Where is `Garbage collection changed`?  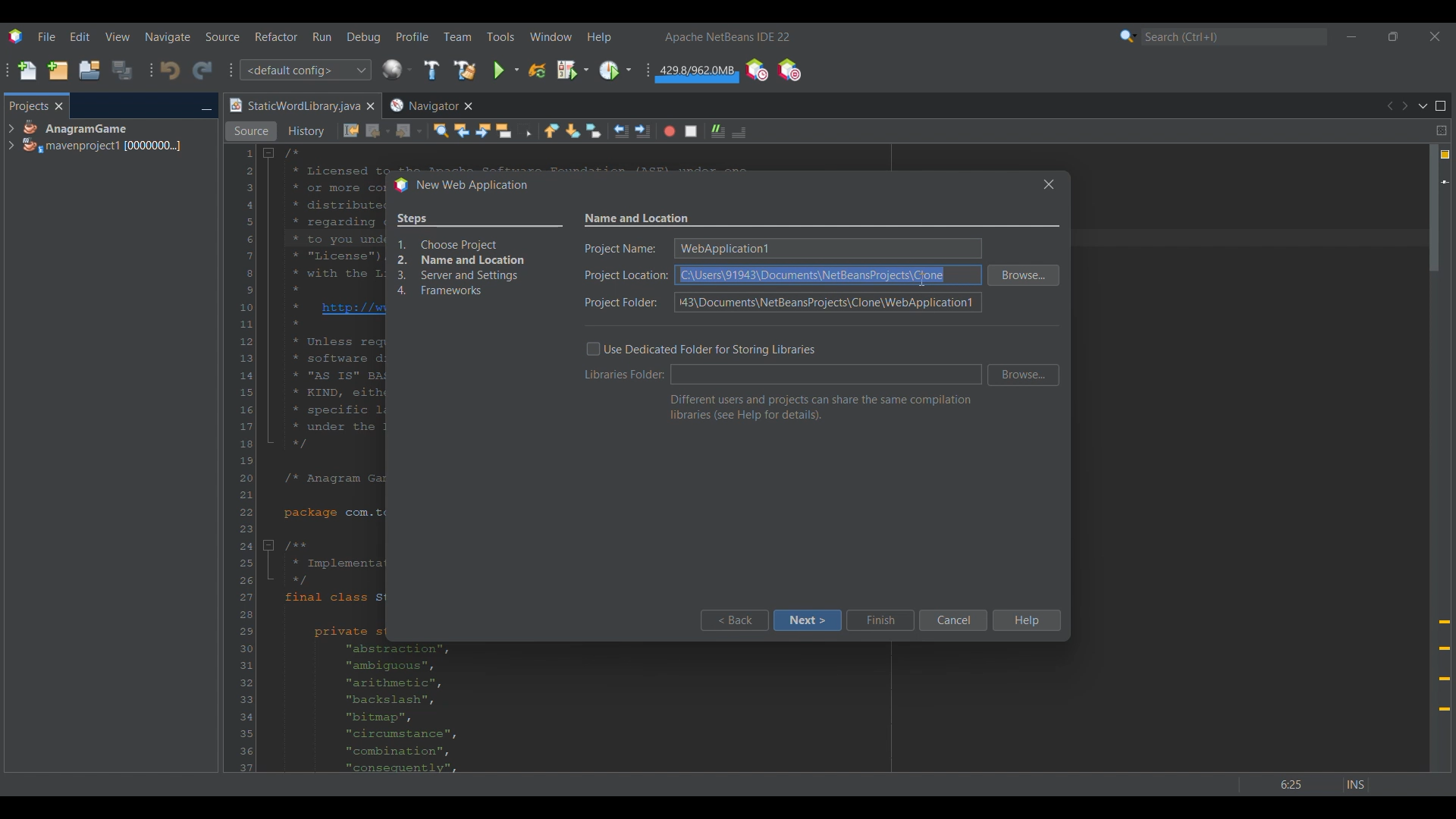 Garbage collection changed is located at coordinates (697, 74).